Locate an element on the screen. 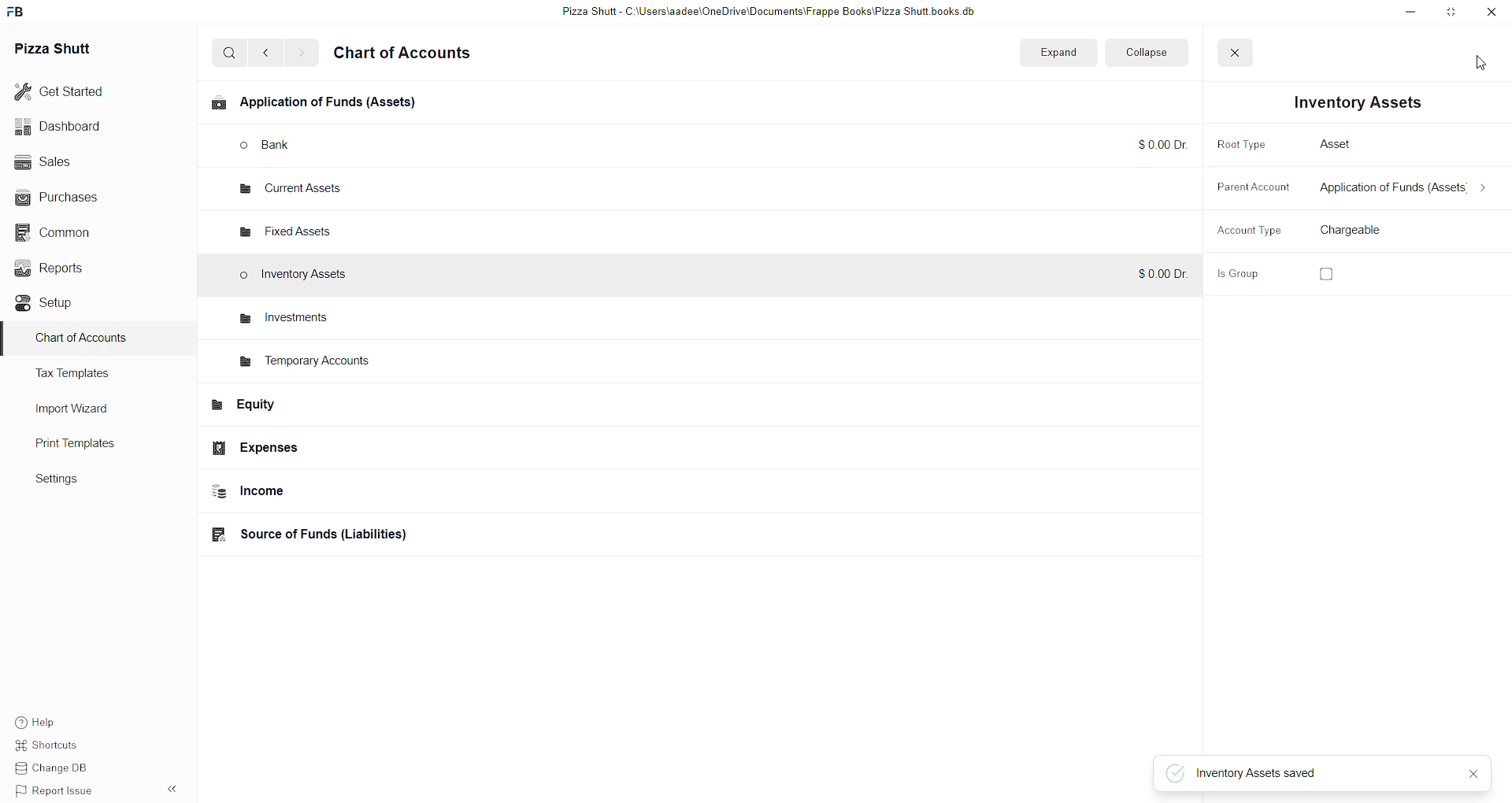 The image size is (1512, 803). Pizza Shutt - C:\Users\aadee\OneDrive\Documents|\Frappe Books\Pizza Shutt books.db is located at coordinates (767, 13).